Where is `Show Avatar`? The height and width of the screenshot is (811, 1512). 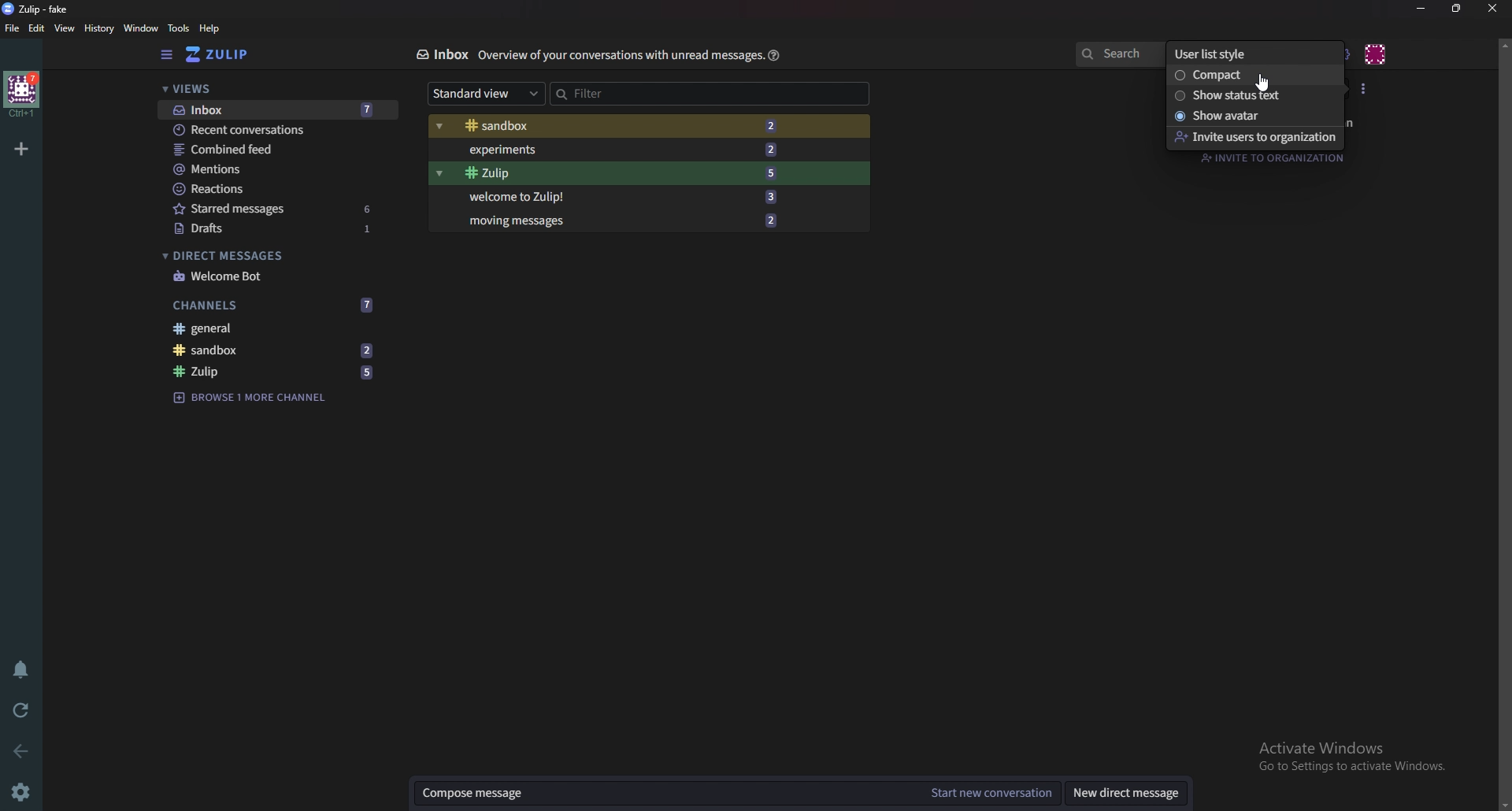 Show Avatar is located at coordinates (1253, 116).